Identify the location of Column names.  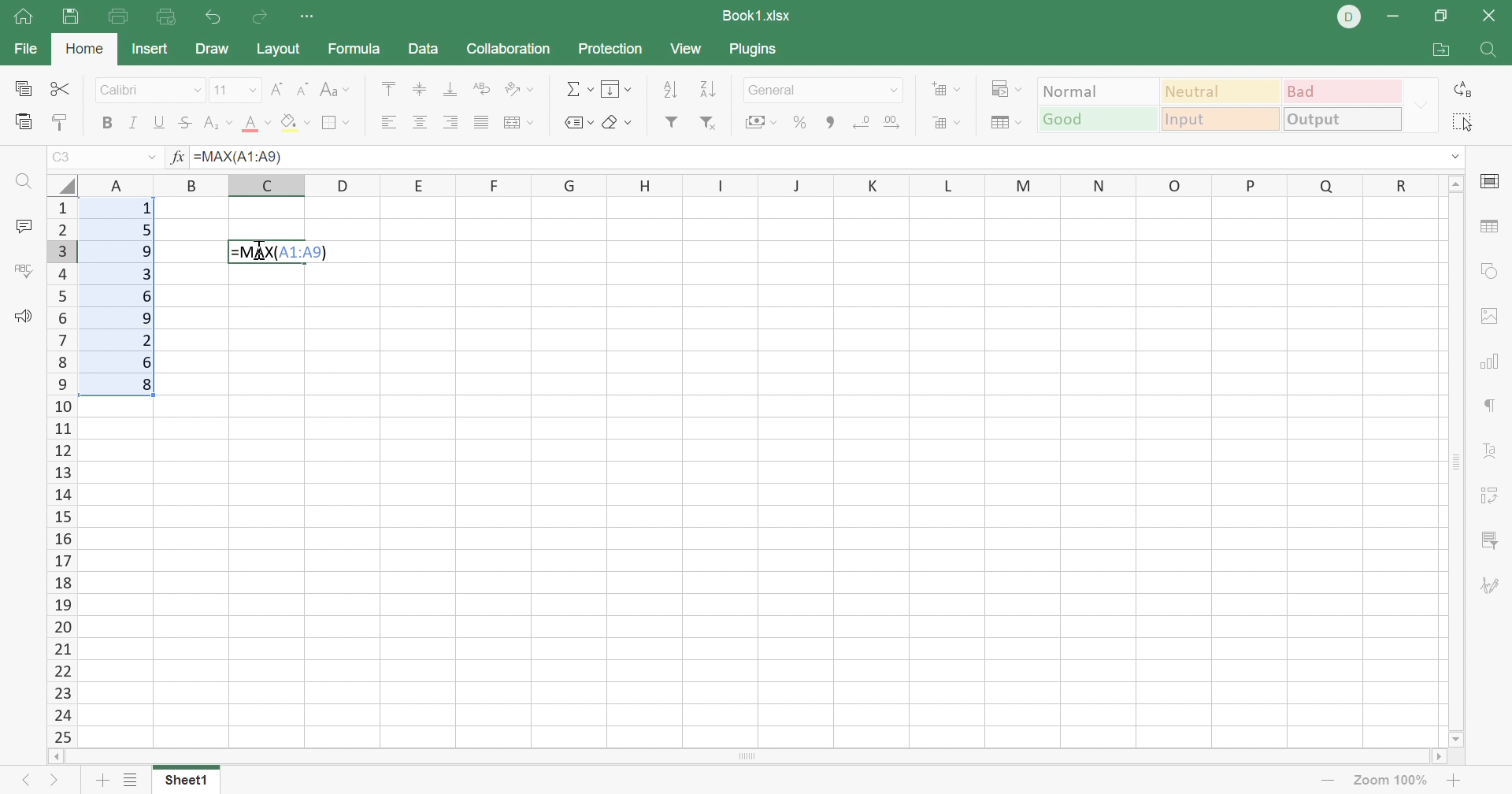
(755, 184).